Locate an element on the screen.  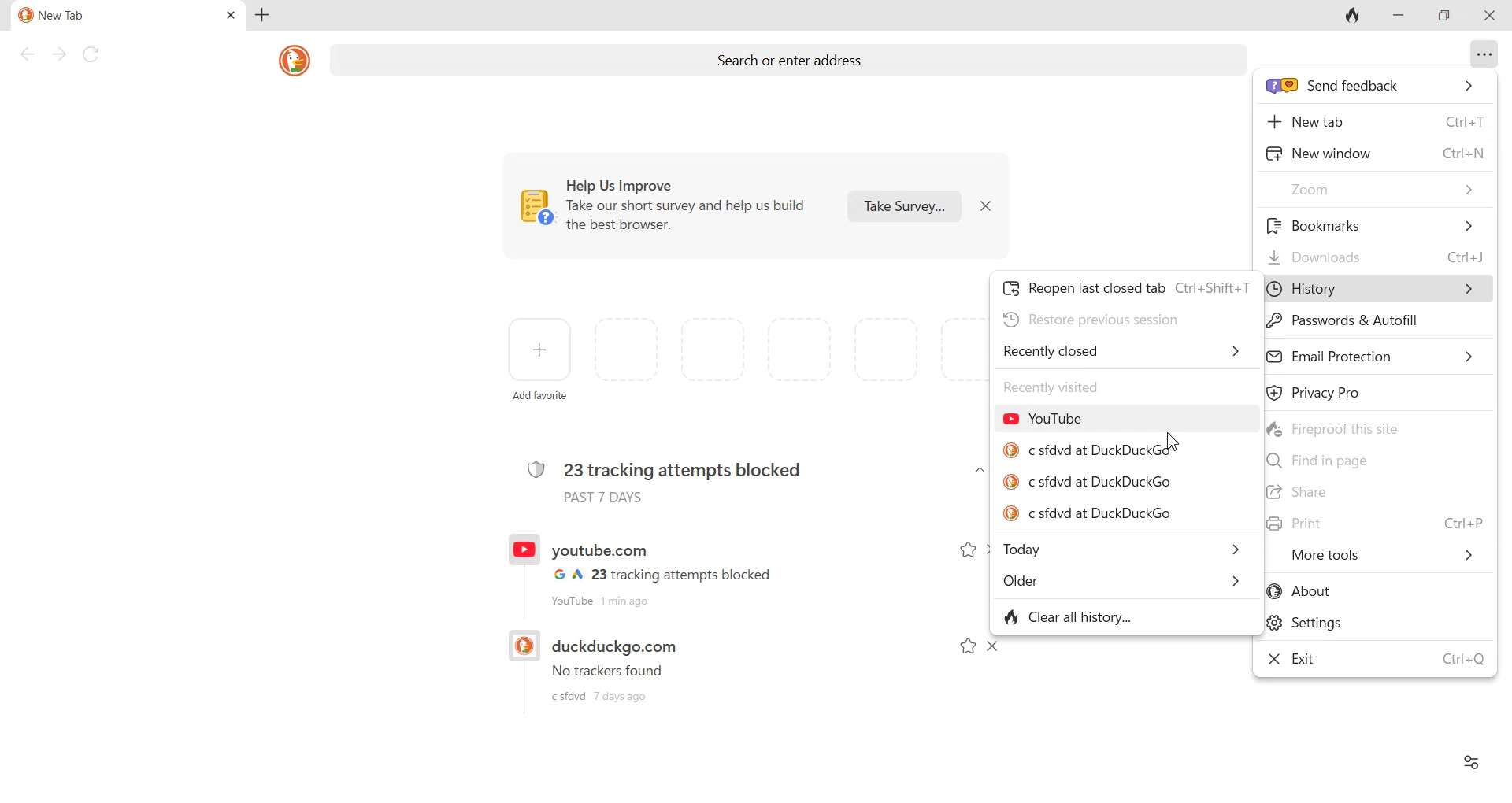
Take survey... is located at coordinates (904, 205).